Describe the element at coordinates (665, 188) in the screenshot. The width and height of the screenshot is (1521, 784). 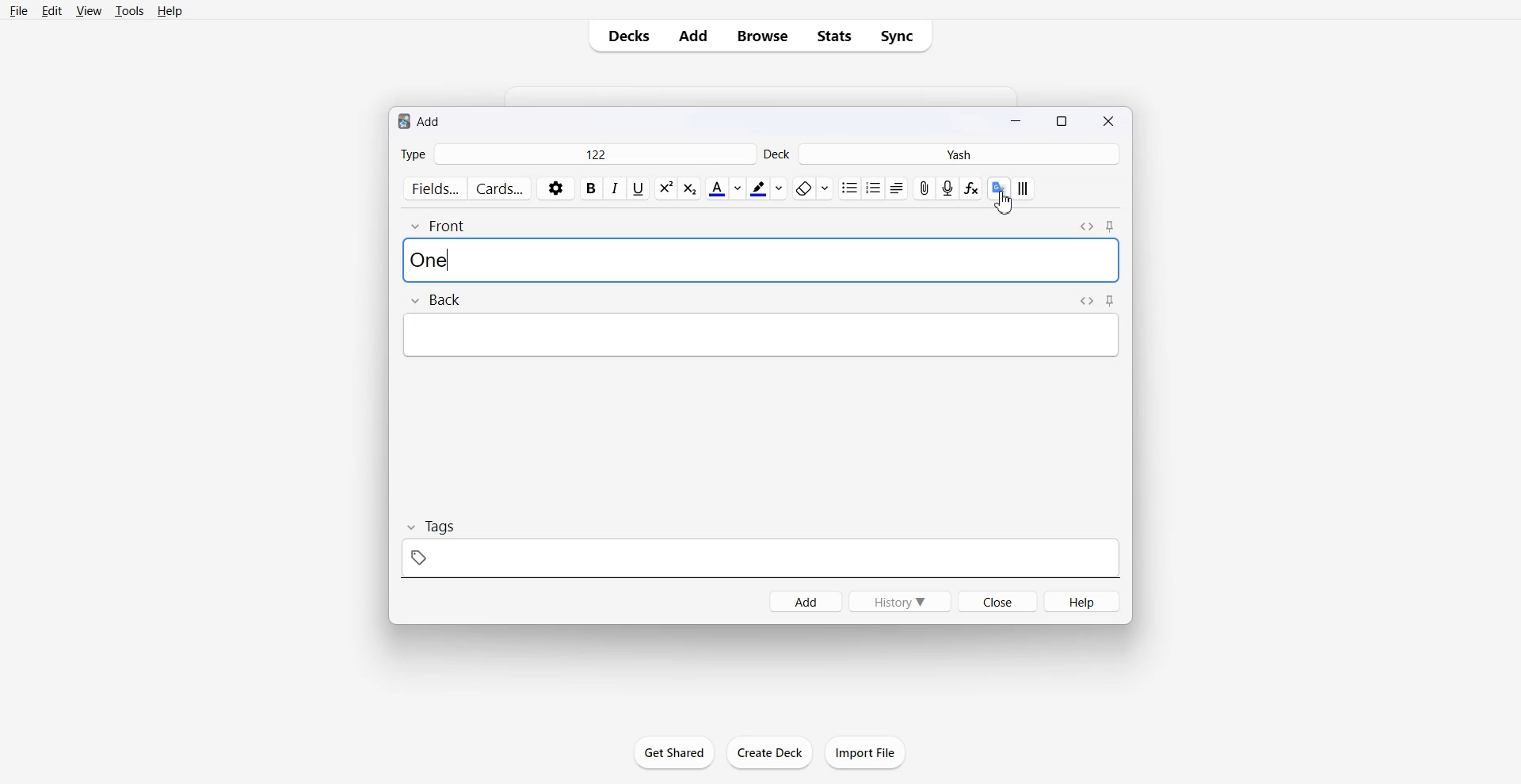
I see `Subscript` at that location.